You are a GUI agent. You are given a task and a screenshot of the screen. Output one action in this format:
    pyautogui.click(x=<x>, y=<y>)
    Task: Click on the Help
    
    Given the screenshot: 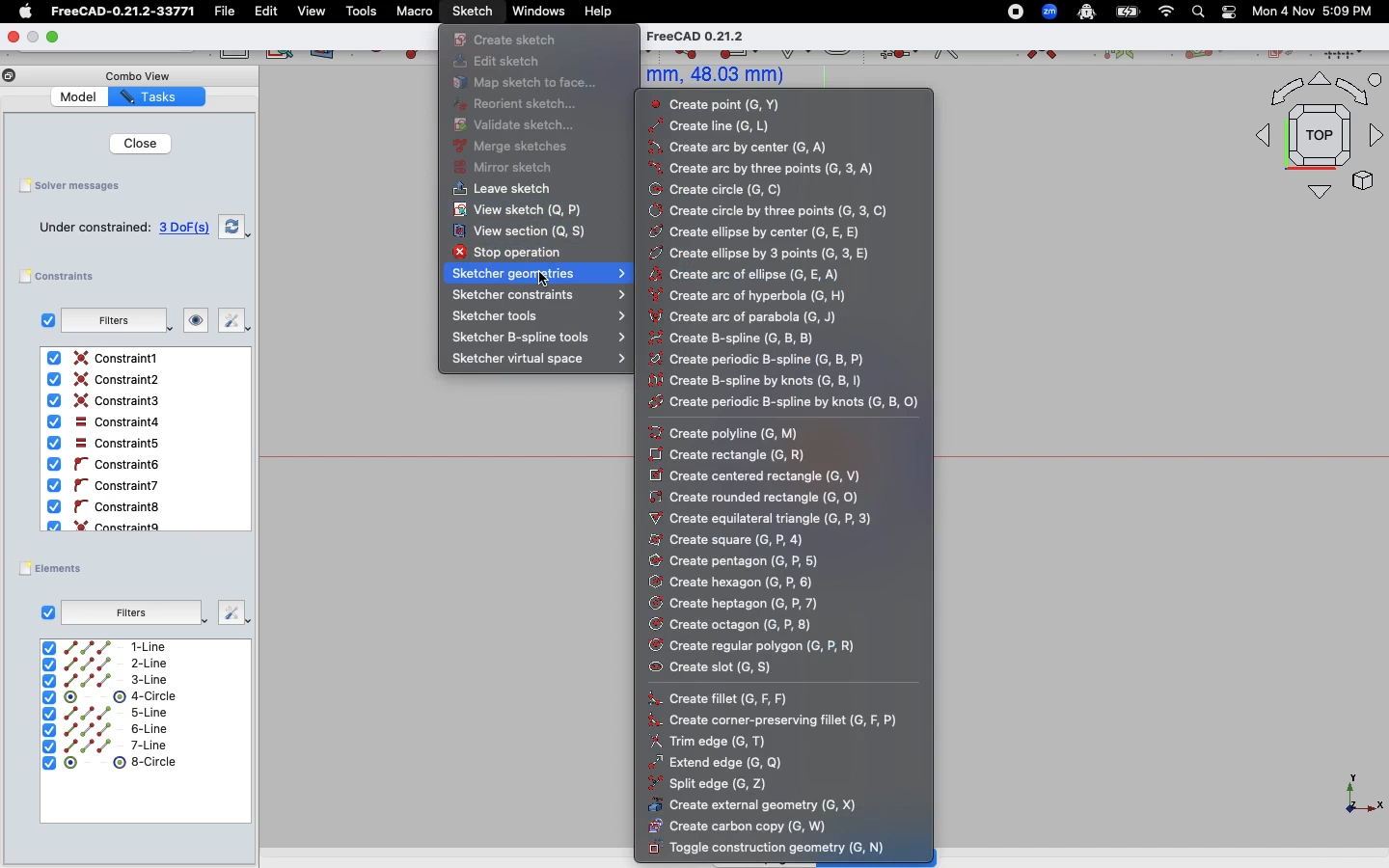 What is the action you would take?
    pyautogui.click(x=599, y=10)
    